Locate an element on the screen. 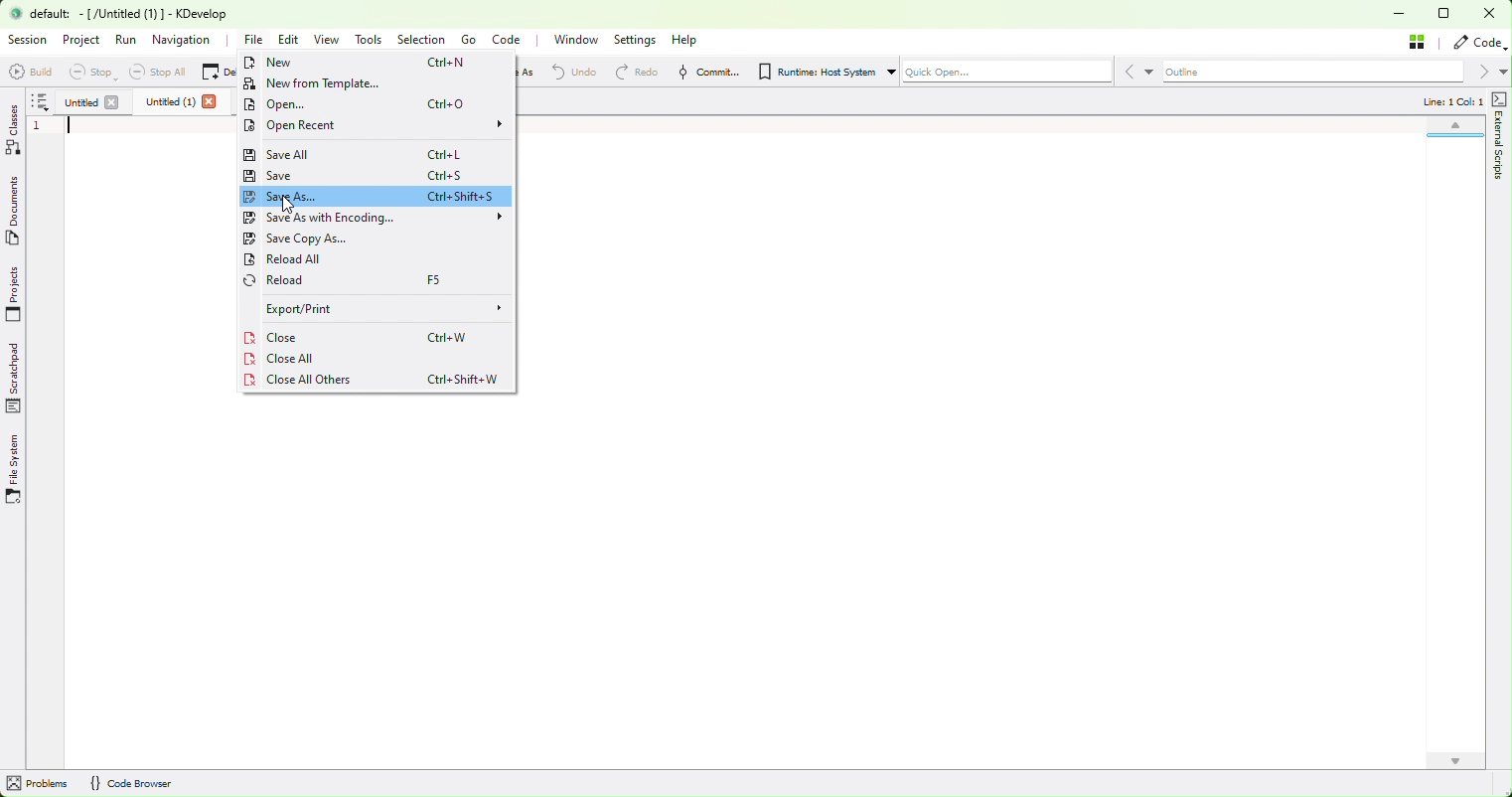 The image size is (1512, 797). Quick Open is located at coordinates (1007, 73).